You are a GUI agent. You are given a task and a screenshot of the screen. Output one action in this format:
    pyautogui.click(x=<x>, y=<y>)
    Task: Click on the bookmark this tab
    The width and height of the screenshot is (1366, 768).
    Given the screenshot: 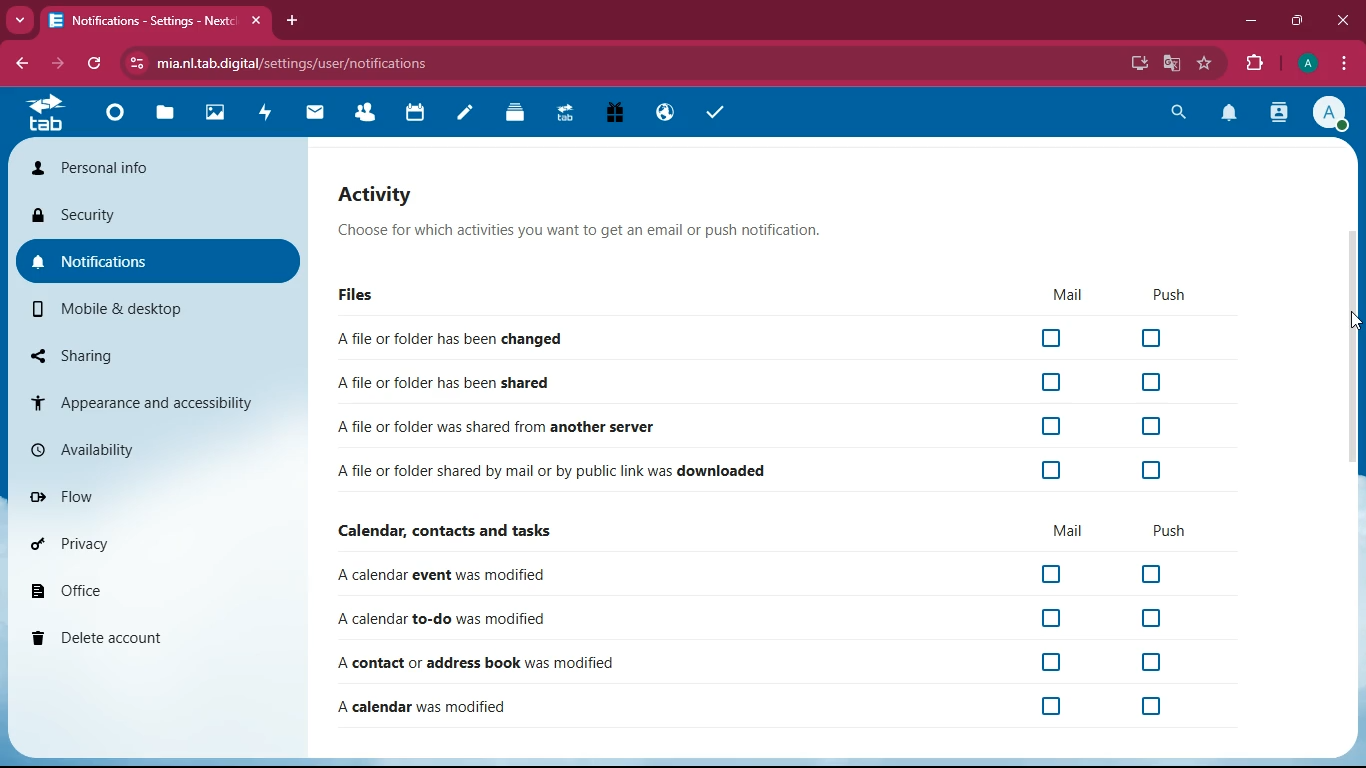 What is the action you would take?
    pyautogui.click(x=1205, y=61)
    